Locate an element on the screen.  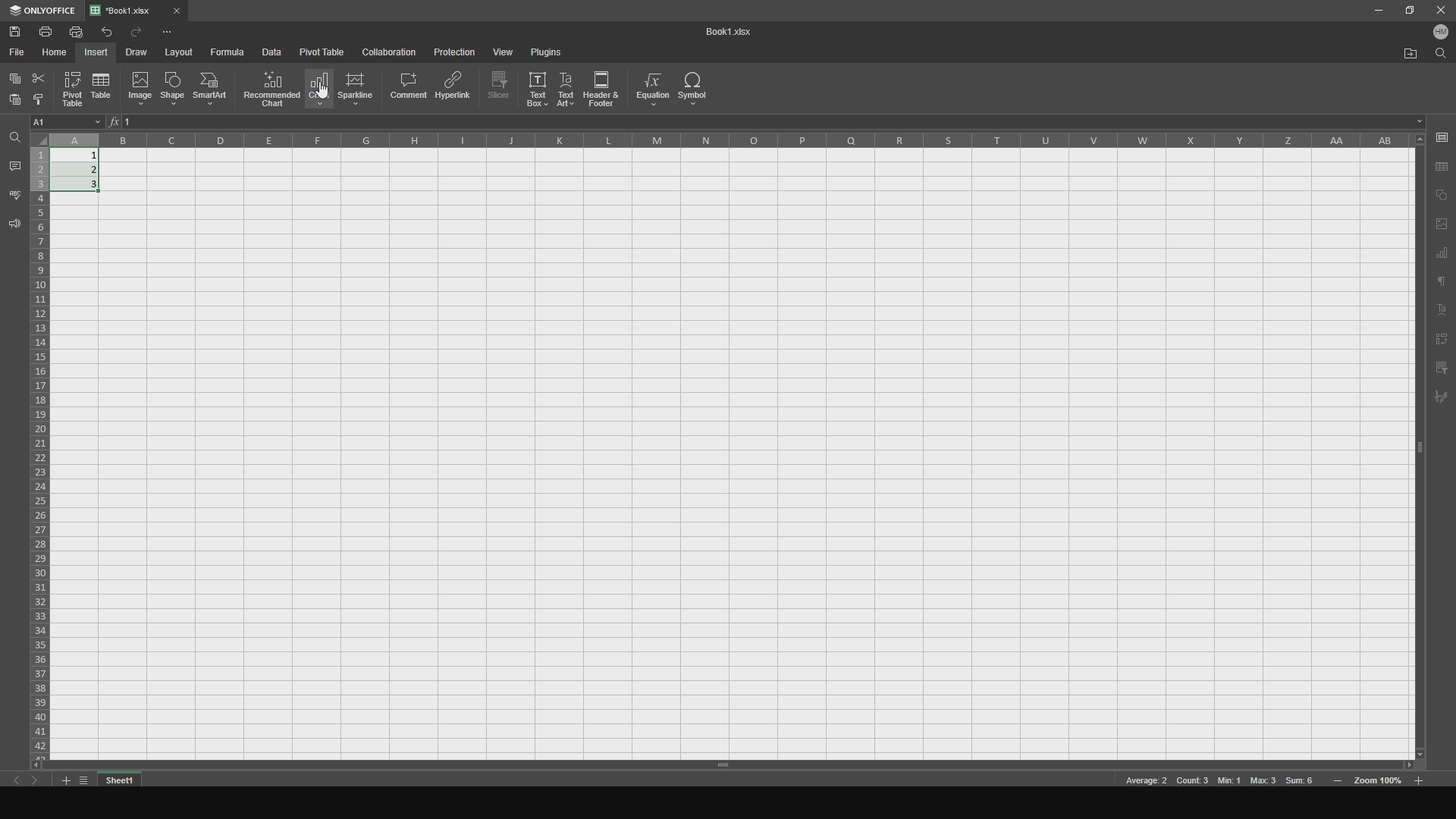
file is located at coordinates (18, 52).